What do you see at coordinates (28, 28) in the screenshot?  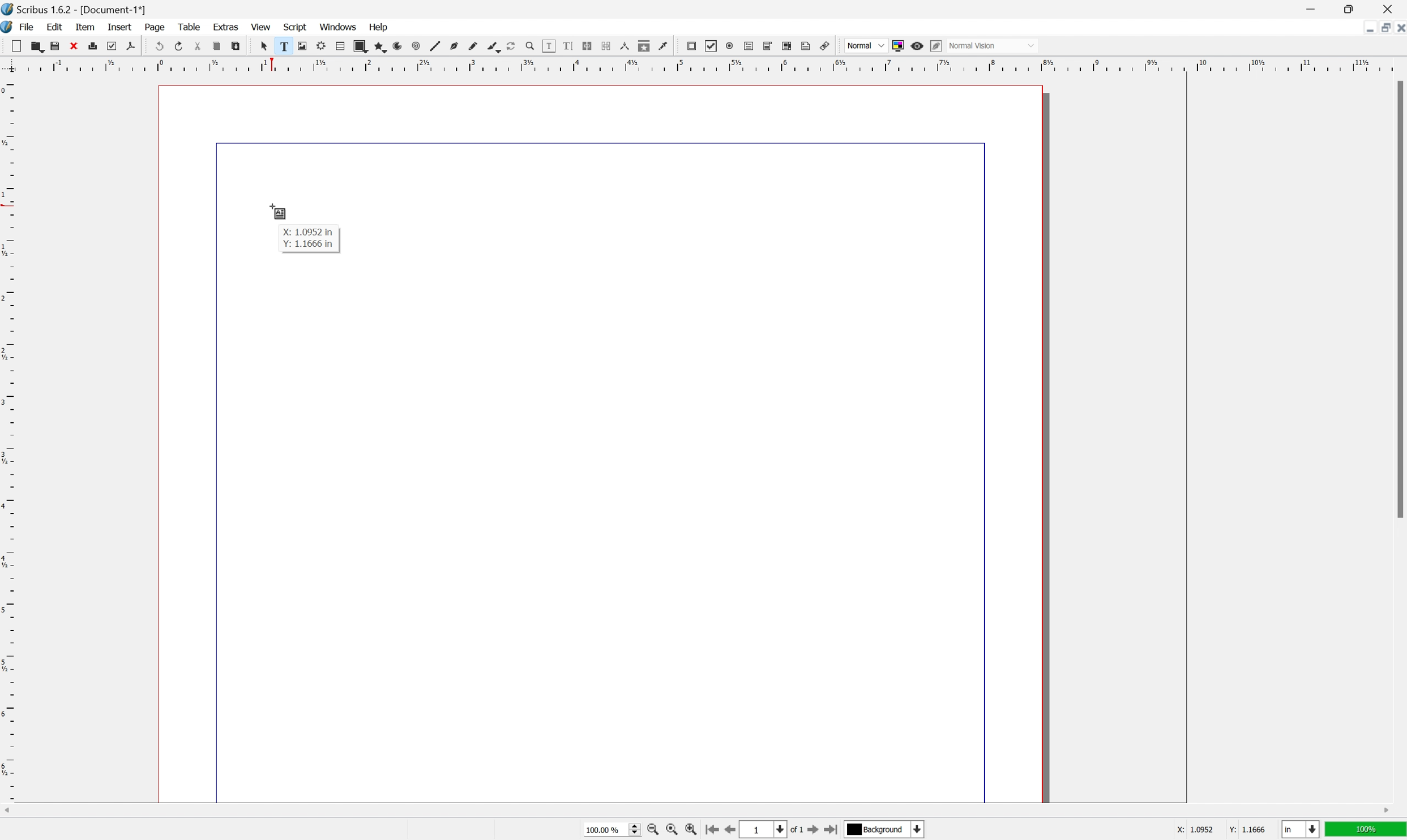 I see `file` at bounding box center [28, 28].